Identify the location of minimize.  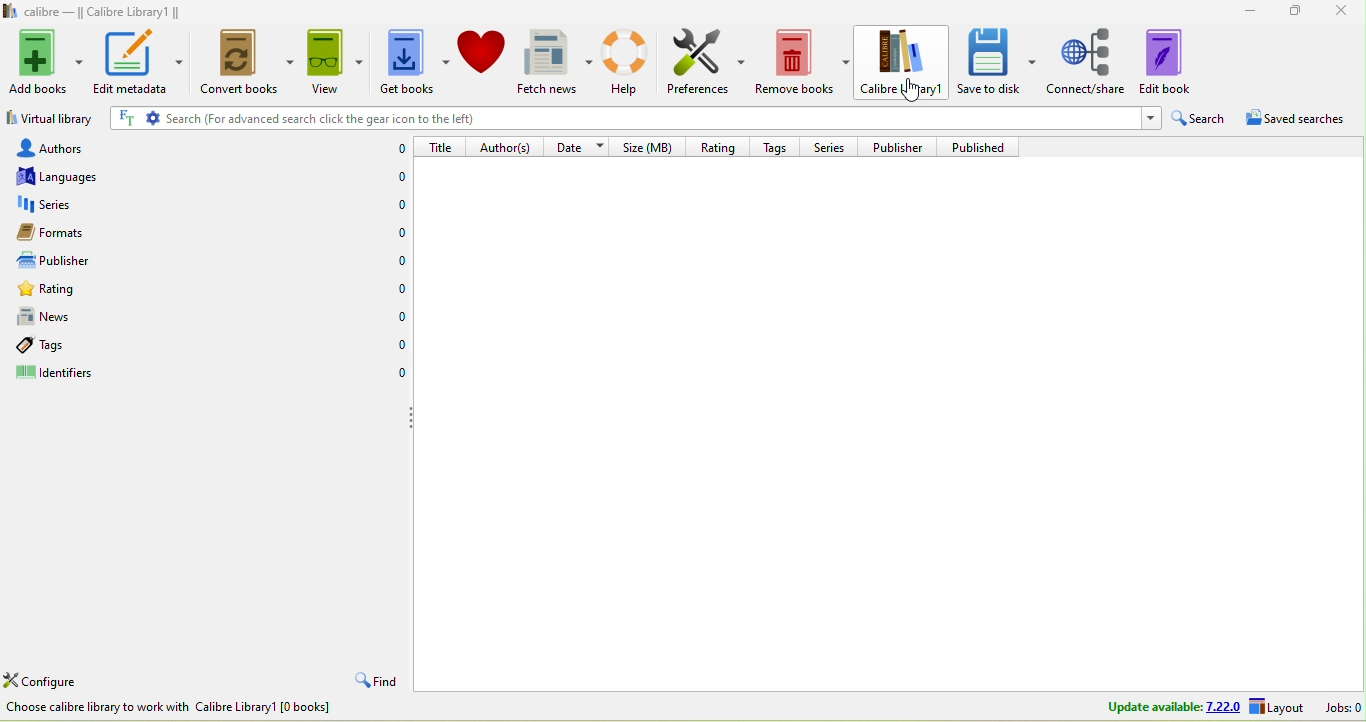
(1243, 9).